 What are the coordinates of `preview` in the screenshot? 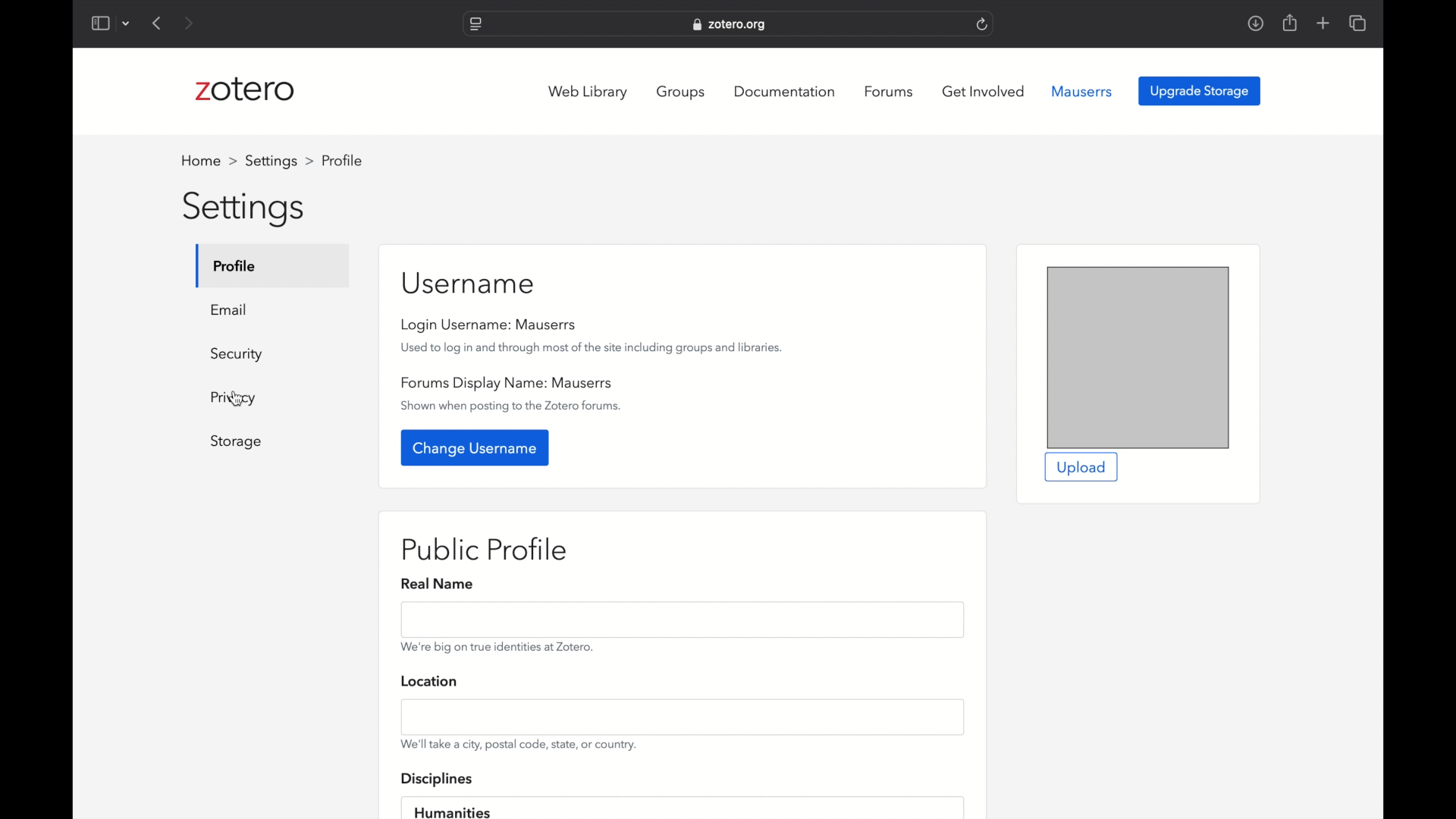 It's located at (1137, 357).